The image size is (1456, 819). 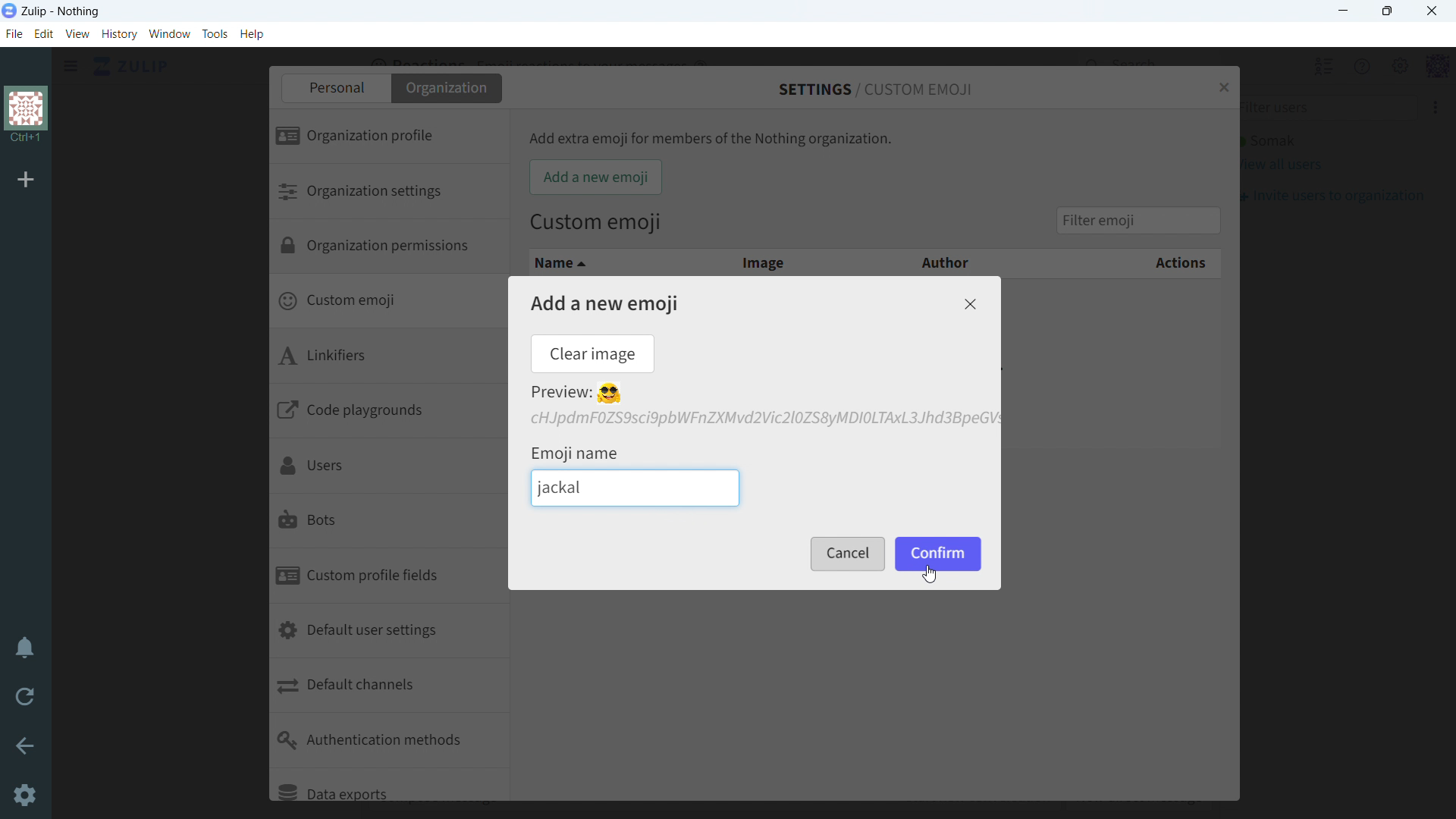 I want to click on minimize, so click(x=1345, y=11).